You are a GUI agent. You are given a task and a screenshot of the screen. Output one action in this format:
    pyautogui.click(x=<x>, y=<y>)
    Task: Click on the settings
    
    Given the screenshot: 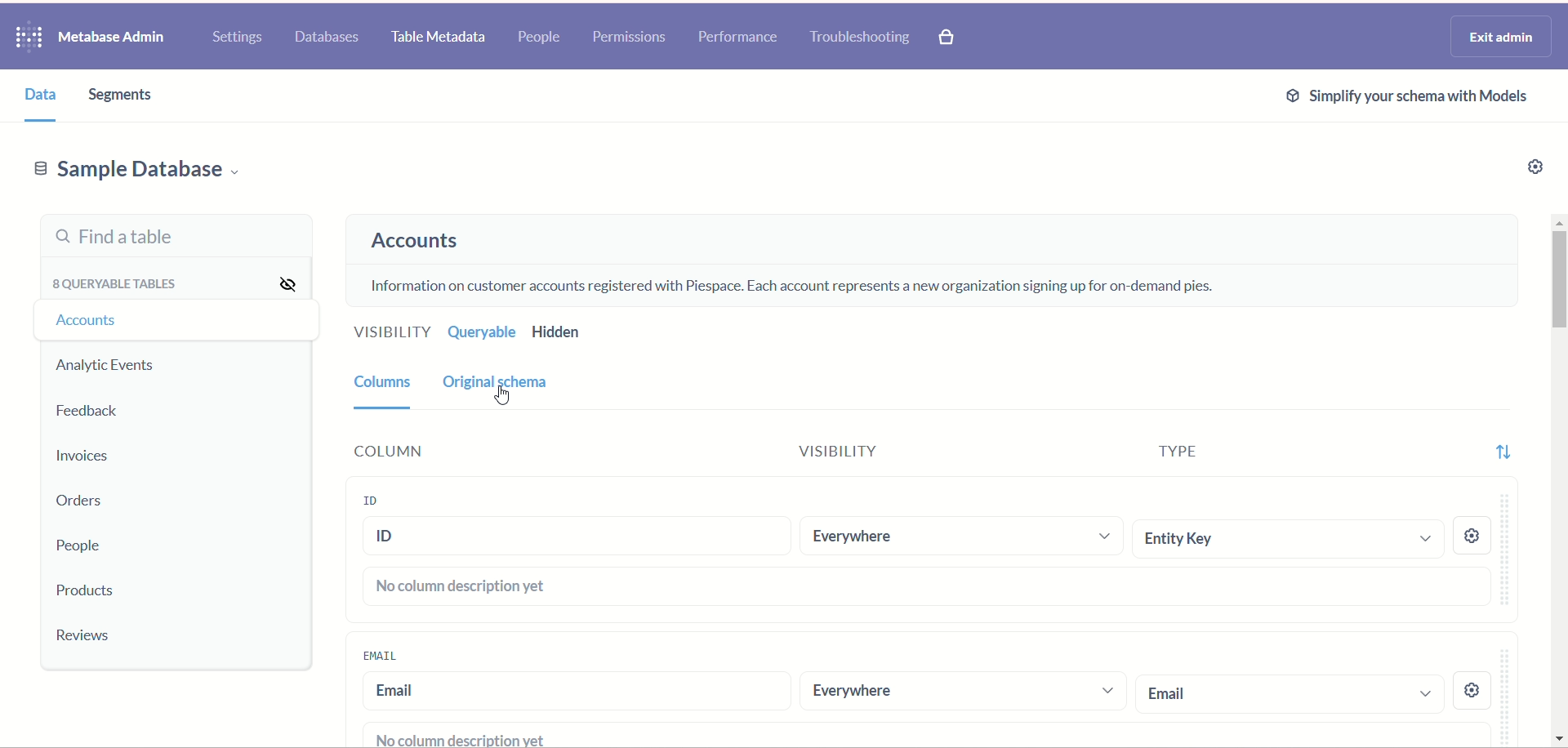 What is the action you would take?
    pyautogui.click(x=238, y=38)
    